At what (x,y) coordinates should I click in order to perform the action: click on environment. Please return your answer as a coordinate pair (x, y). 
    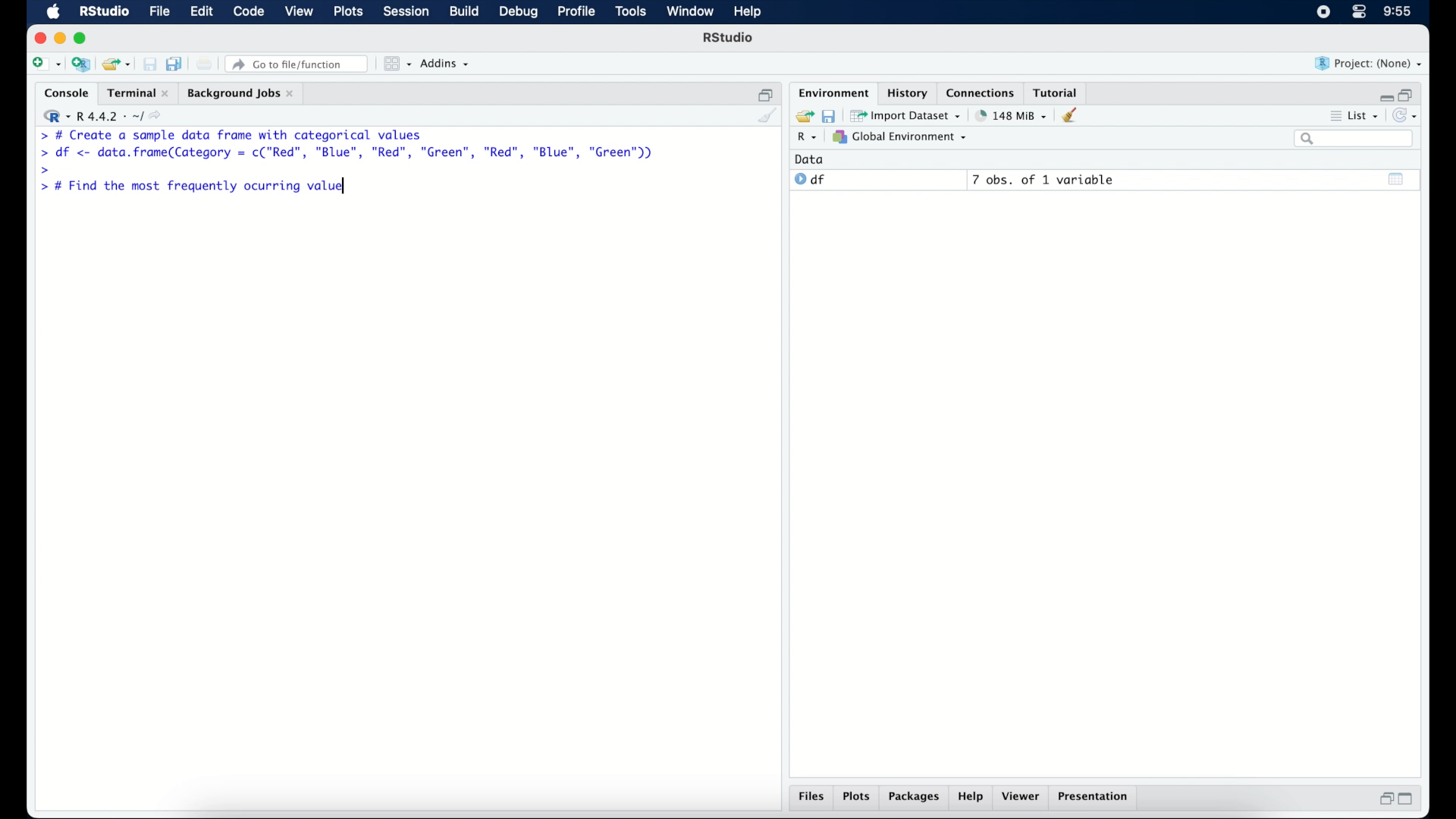
    Looking at the image, I should click on (833, 92).